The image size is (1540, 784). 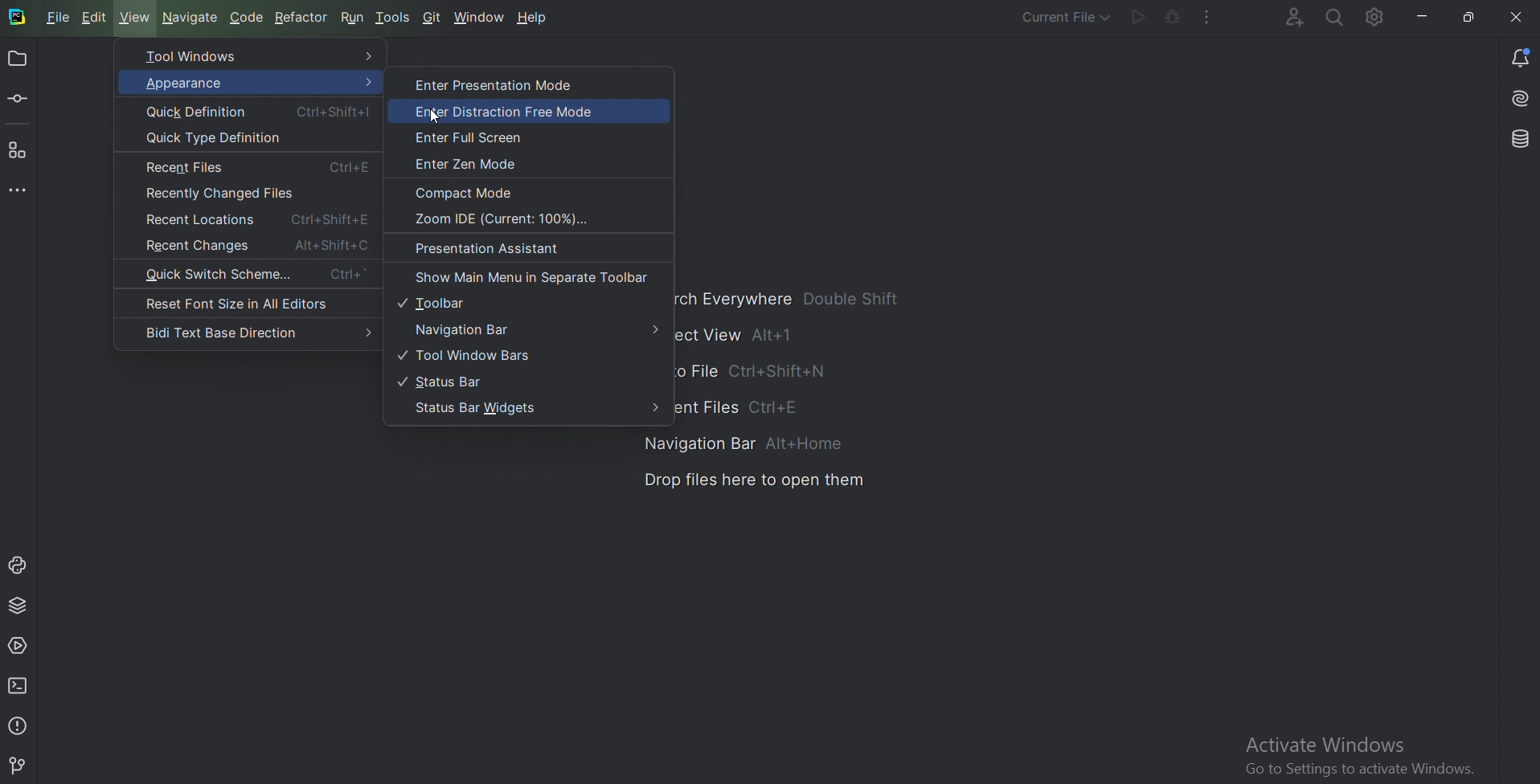 What do you see at coordinates (532, 276) in the screenshot?
I see `Show main menu in separate toolbar` at bounding box center [532, 276].